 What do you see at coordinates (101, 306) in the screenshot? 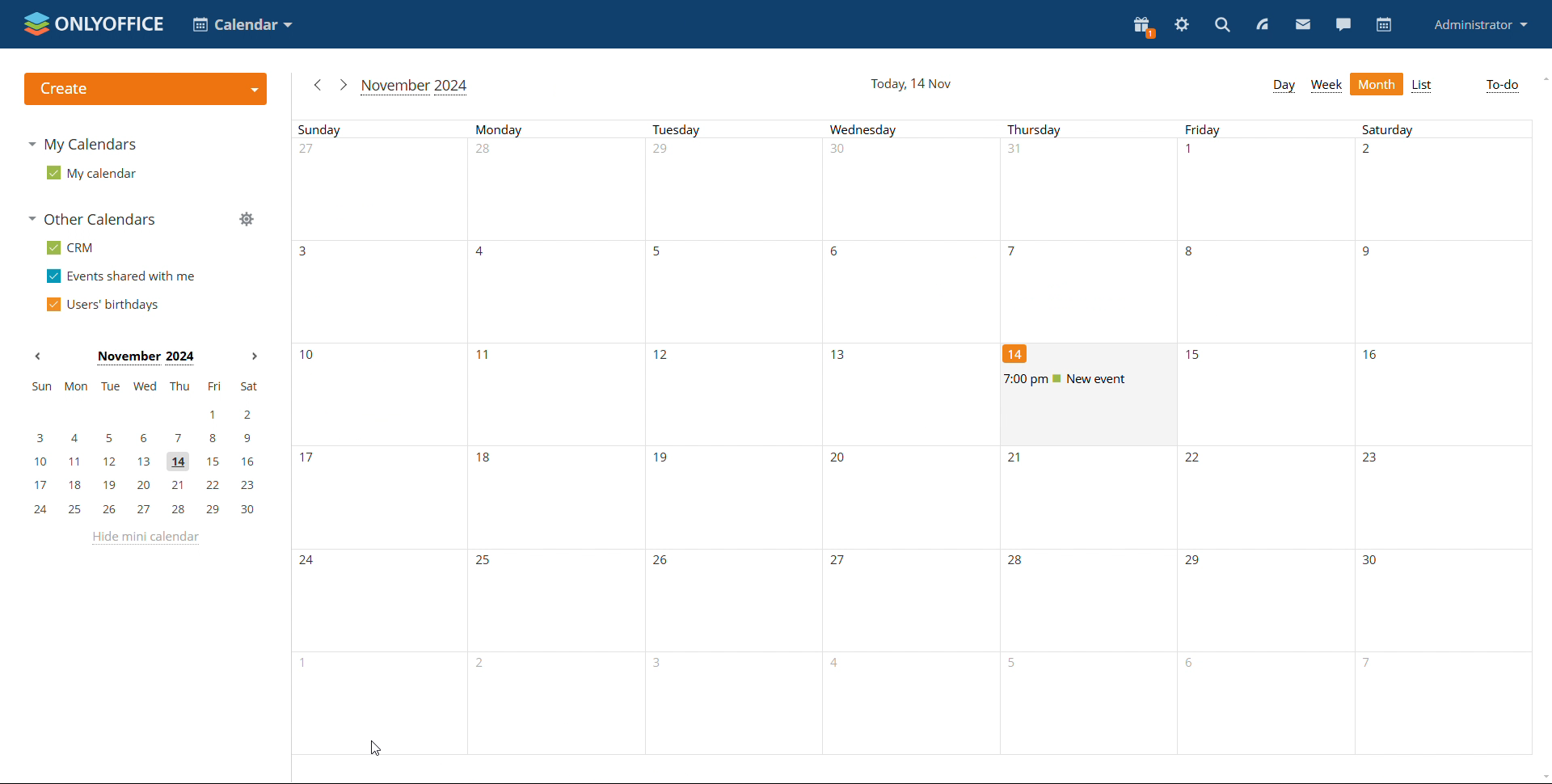
I see `users' birthdays` at bounding box center [101, 306].